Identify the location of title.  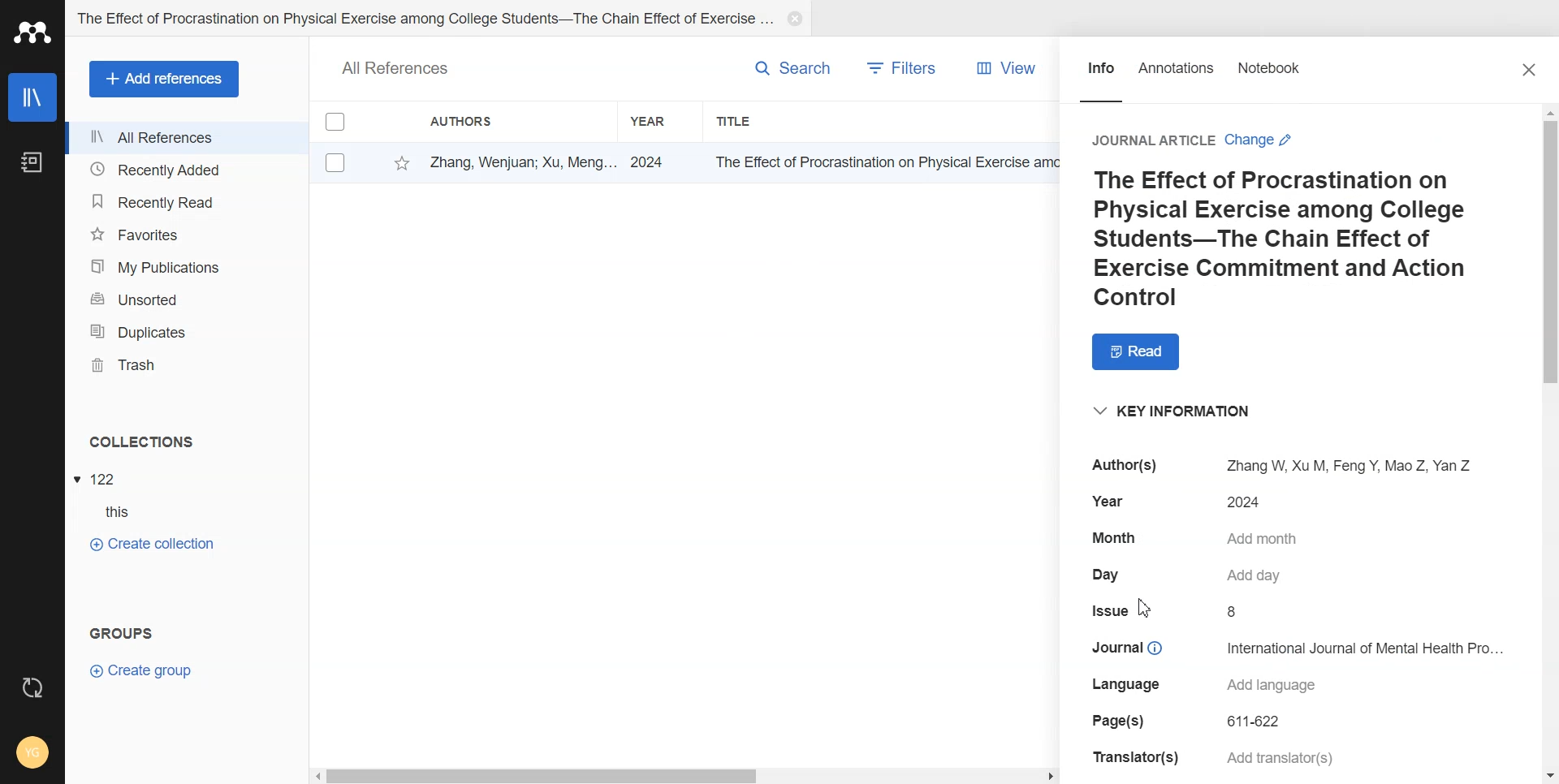
(883, 162).